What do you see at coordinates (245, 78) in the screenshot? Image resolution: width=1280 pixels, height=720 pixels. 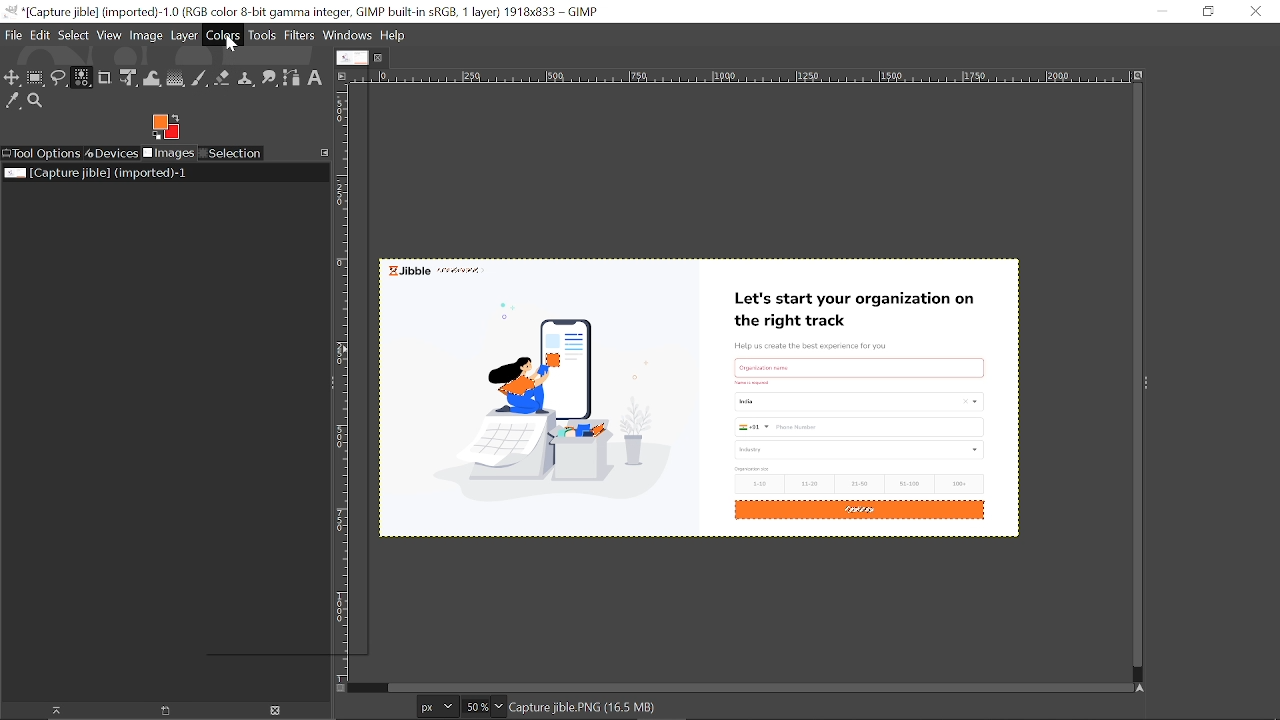 I see `Clone tool` at bounding box center [245, 78].